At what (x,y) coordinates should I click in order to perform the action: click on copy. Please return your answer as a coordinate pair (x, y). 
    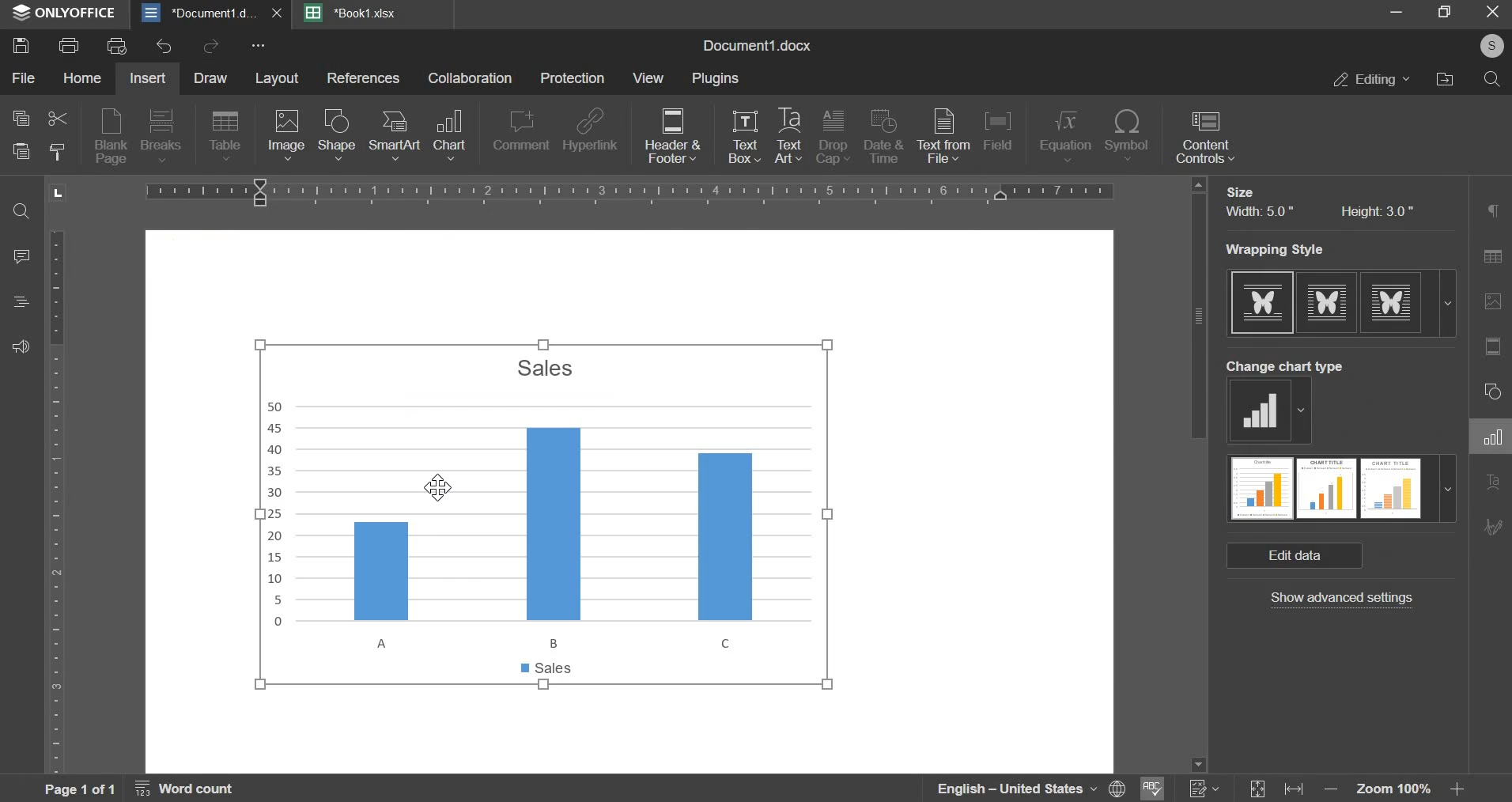
    Looking at the image, I should click on (21, 119).